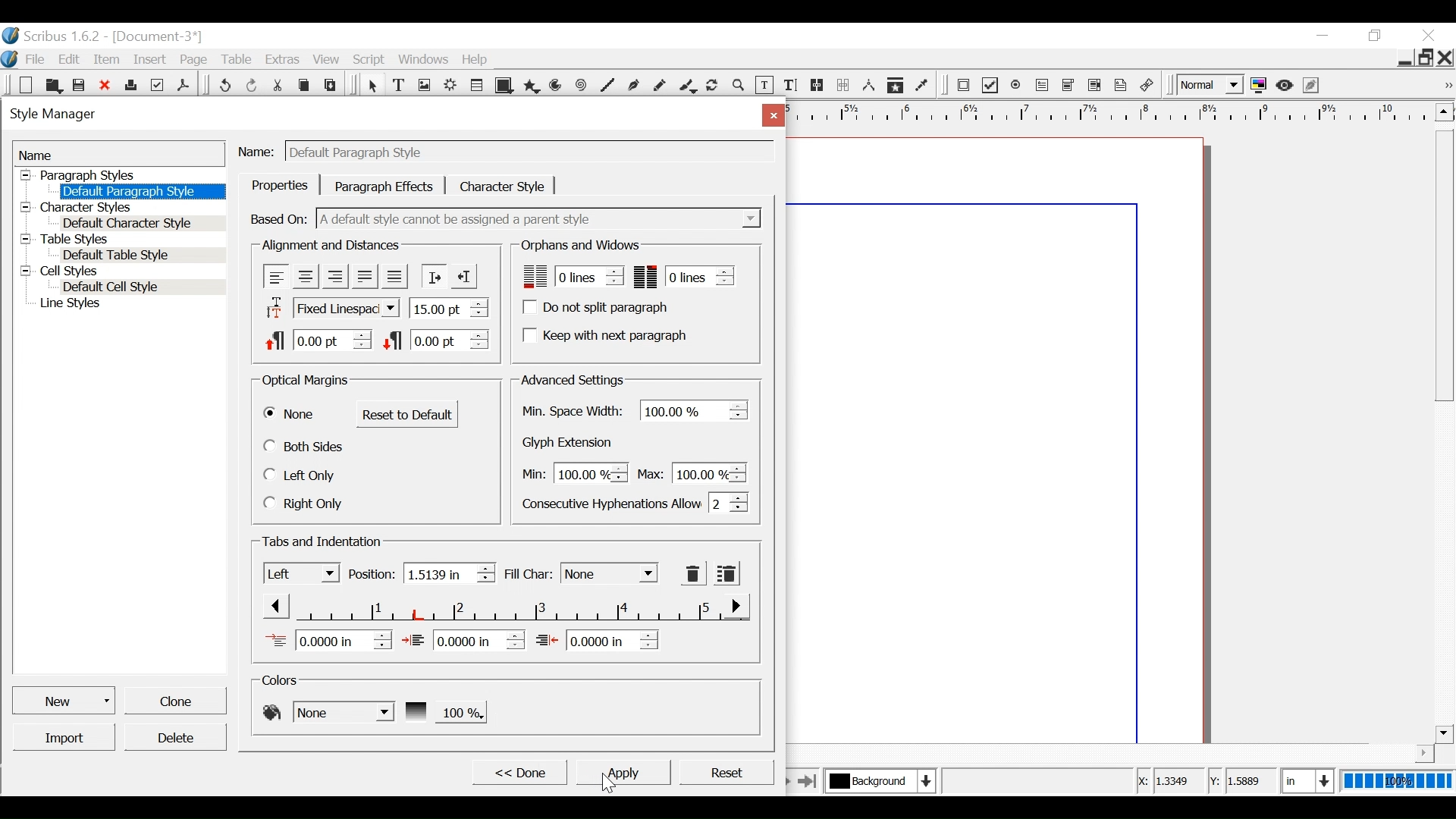 This screenshot has height=819, width=1456. What do you see at coordinates (571, 443) in the screenshot?
I see `Glyph extension` at bounding box center [571, 443].